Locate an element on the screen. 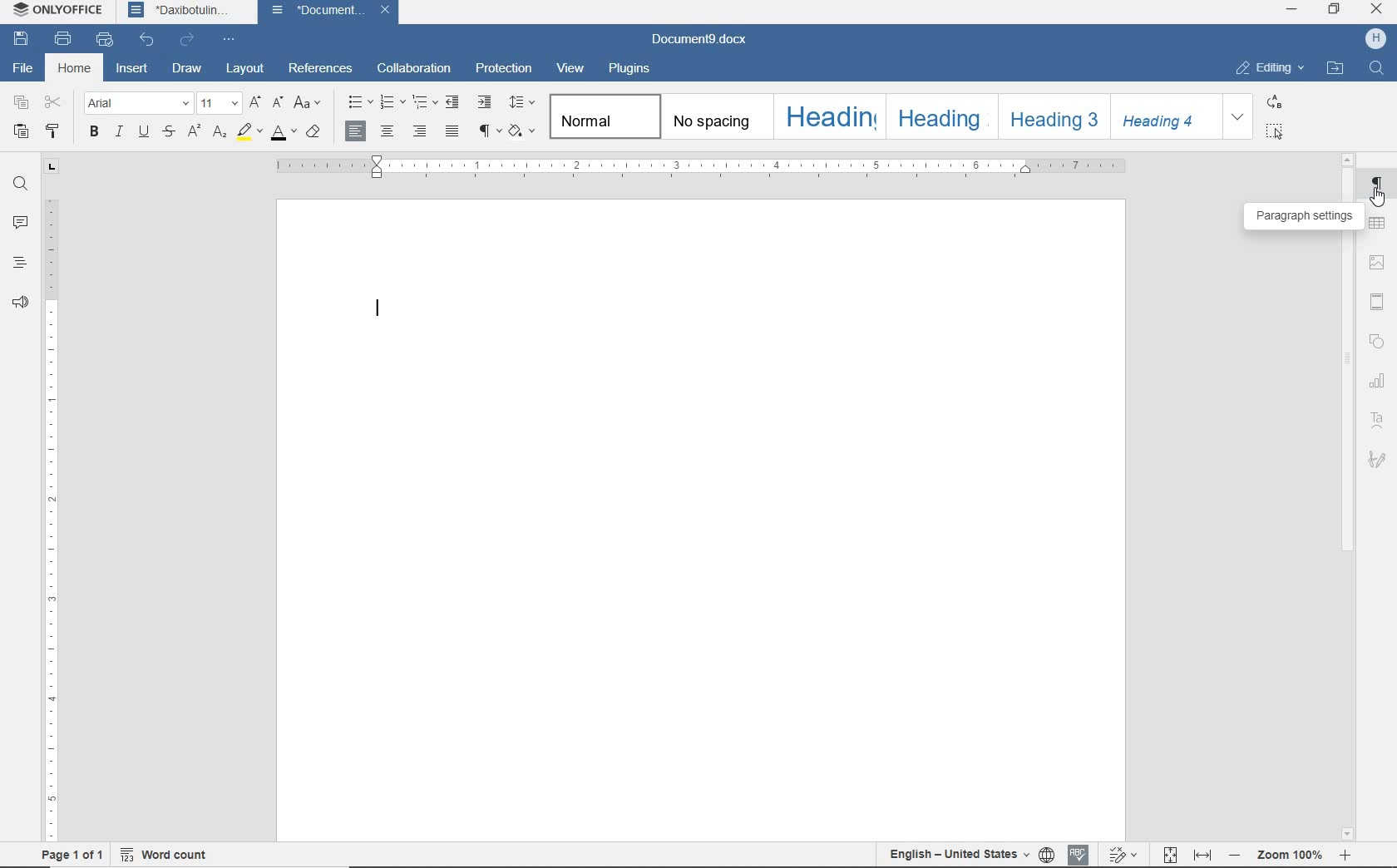  undo is located at coordinates (146, 40).